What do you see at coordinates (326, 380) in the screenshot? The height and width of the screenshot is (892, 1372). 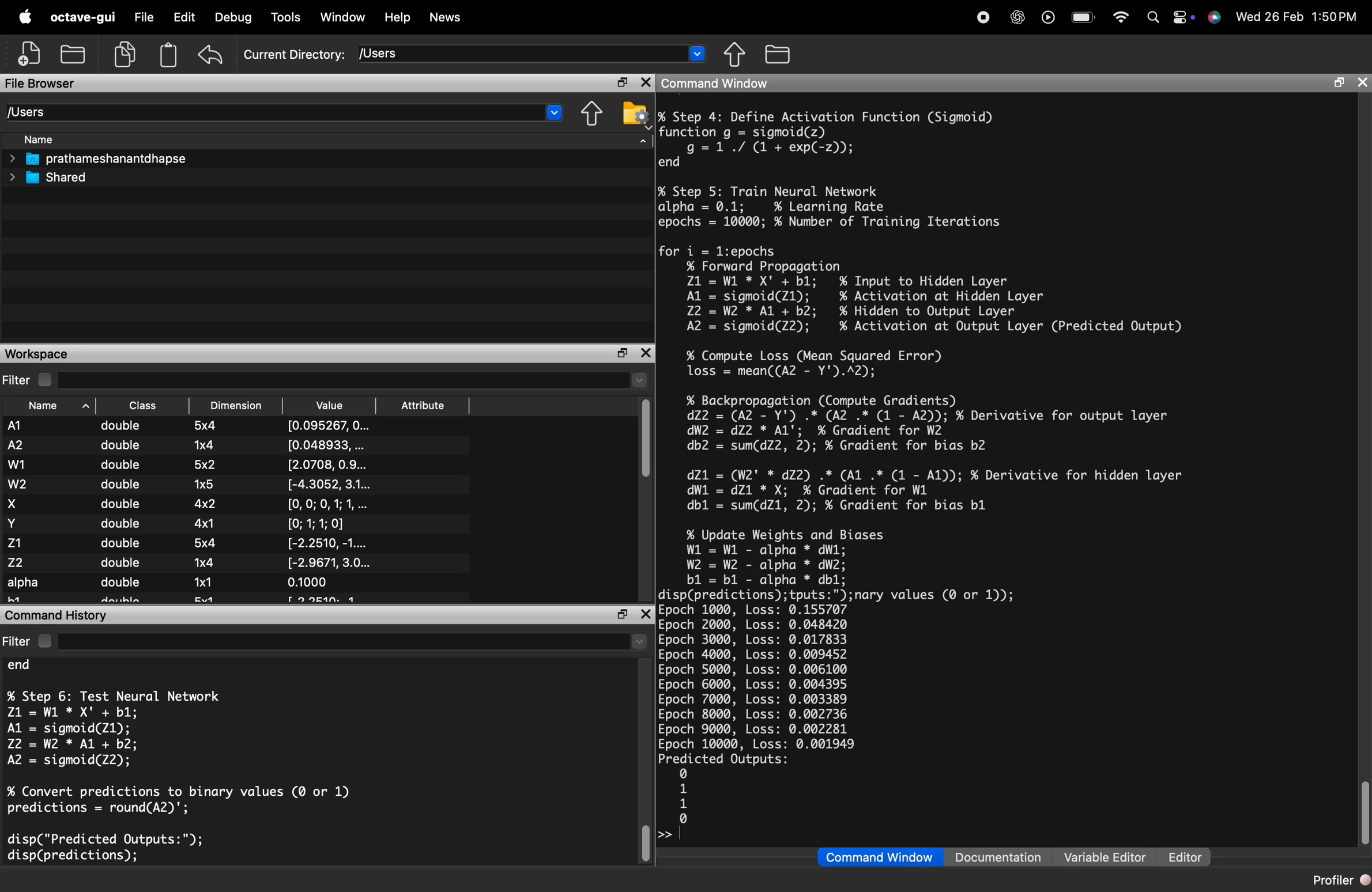 I see `filter` at bounding box center [326, 380].